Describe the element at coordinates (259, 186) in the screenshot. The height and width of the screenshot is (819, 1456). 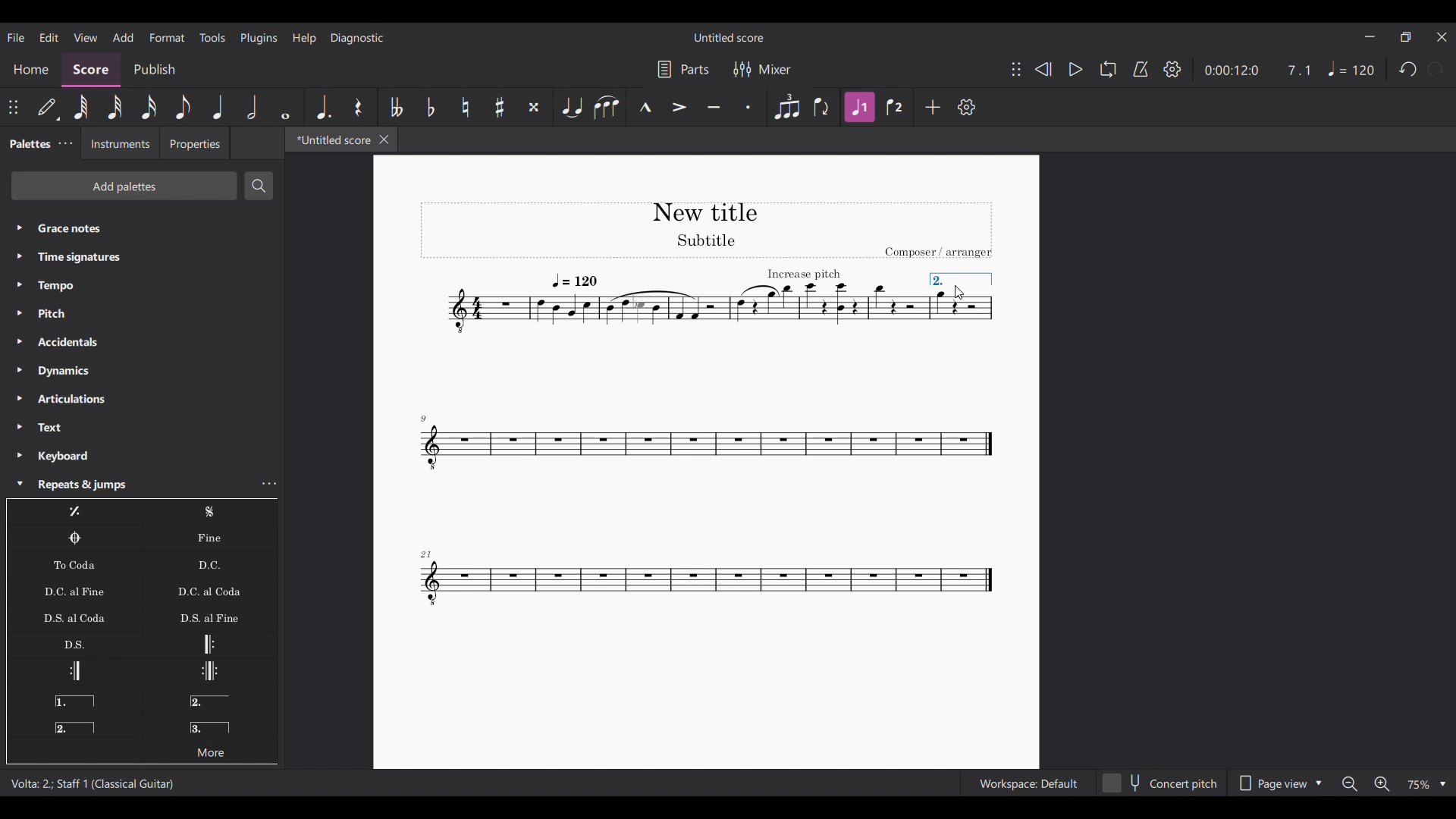
I see `Search ` at that location.